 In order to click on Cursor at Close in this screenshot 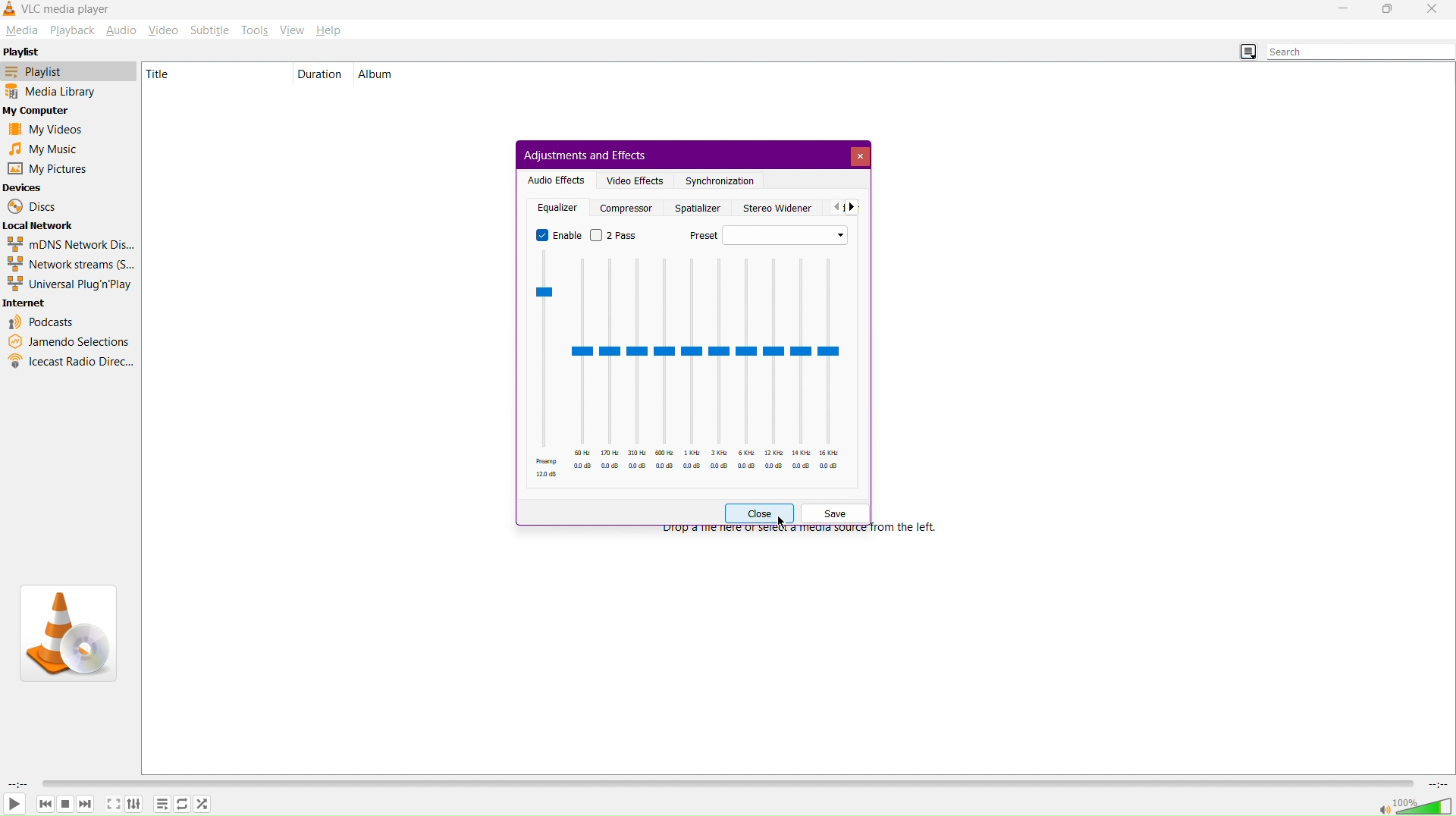, I will do `click(780, 524)`.